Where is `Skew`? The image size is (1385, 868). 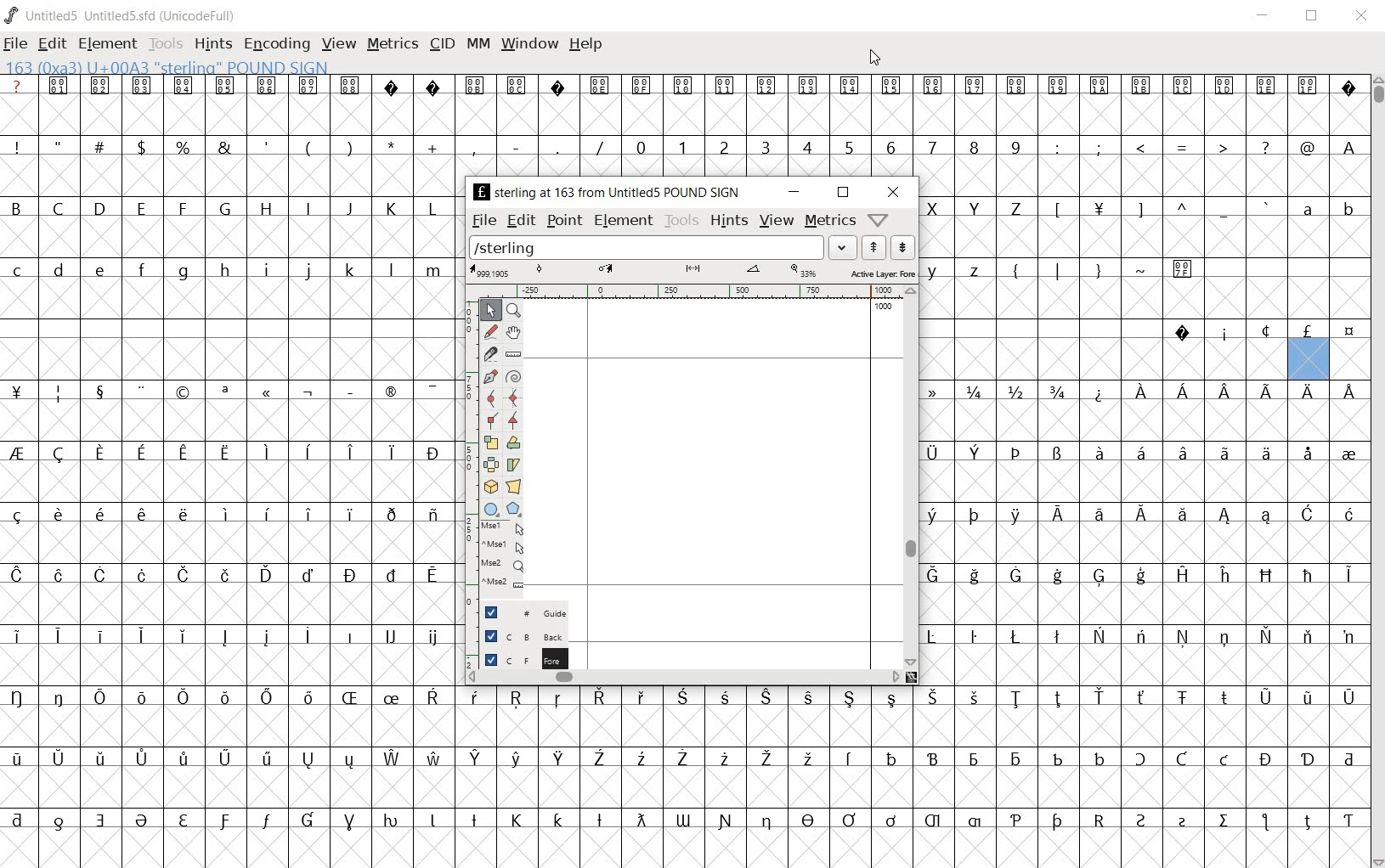
Skew is located at coordinates (514, 464).